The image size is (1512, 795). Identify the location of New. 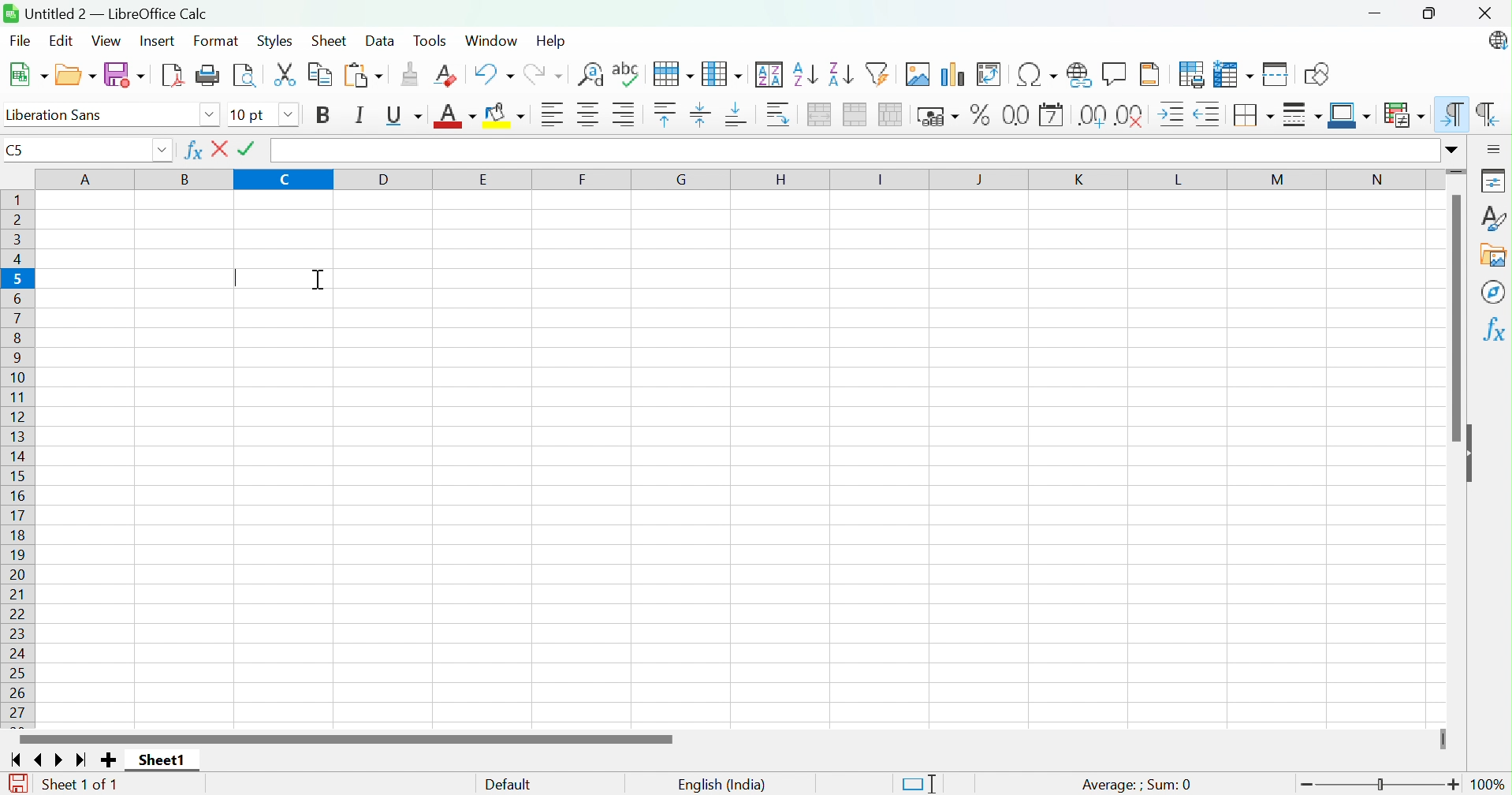
(29, 76).